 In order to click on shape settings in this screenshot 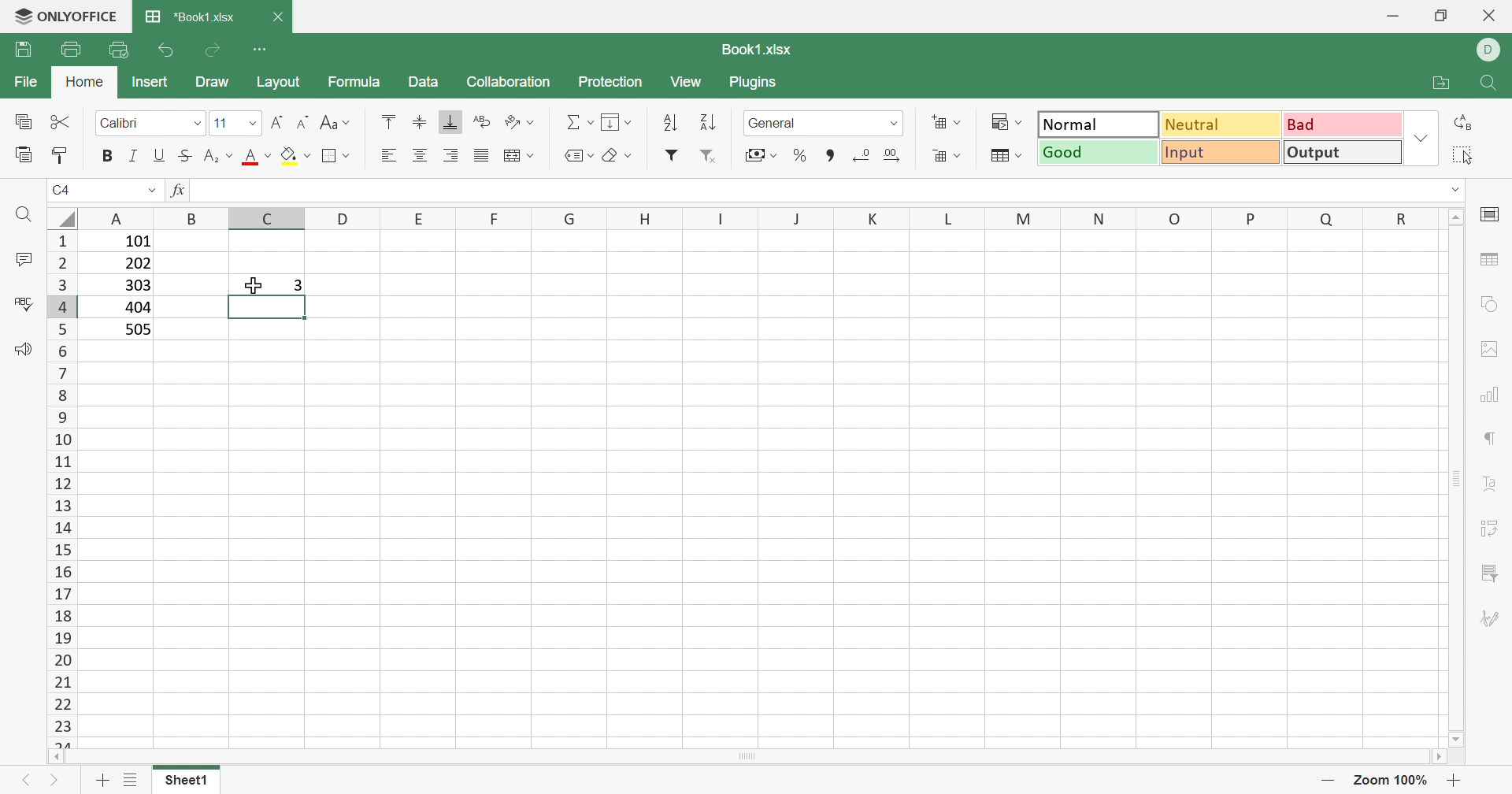, I will do `click(1491, 302)`.